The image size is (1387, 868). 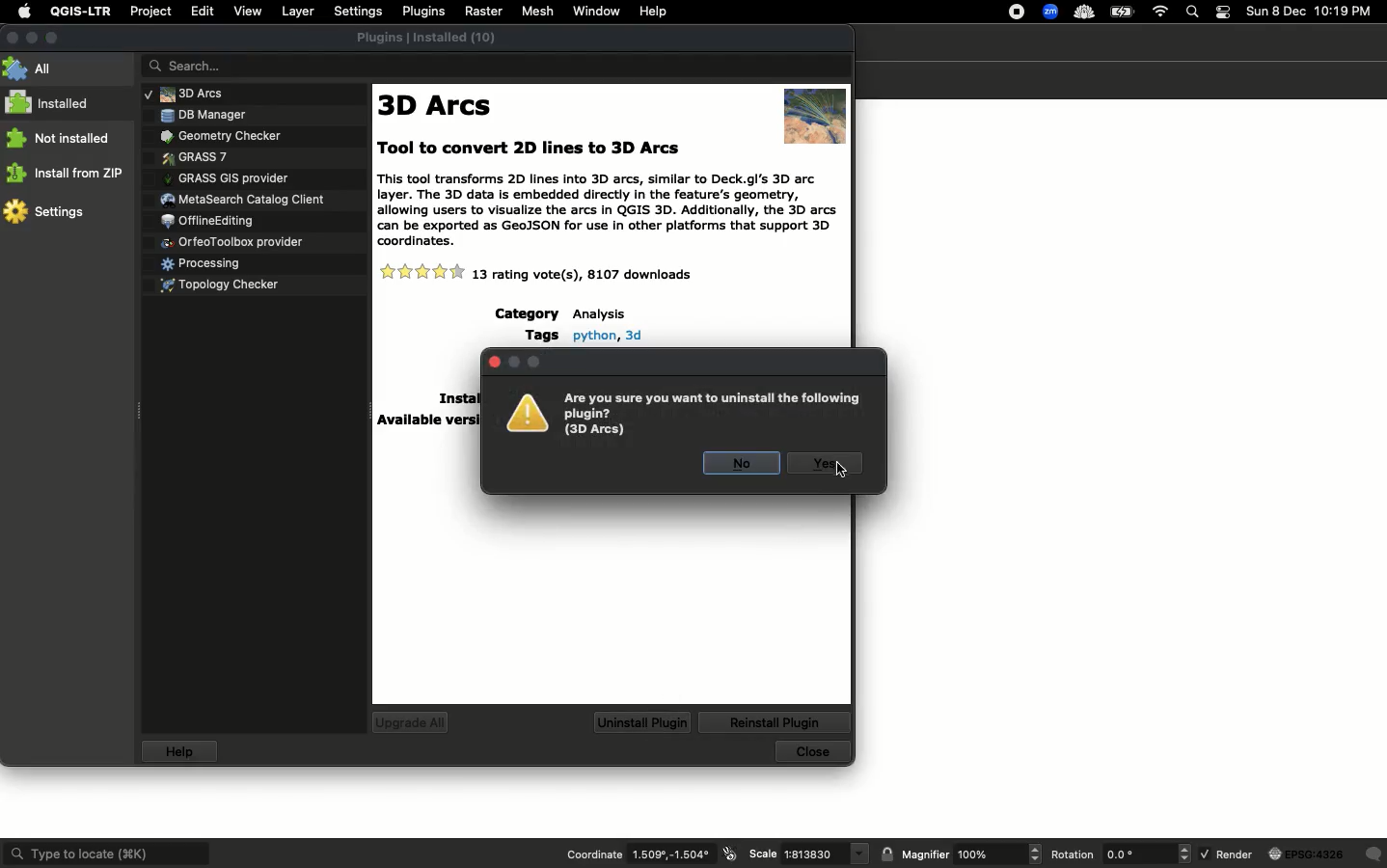 What do you see at coordinates (423, 12) in the screenshot?
I see `Plugins` at bounding box center [423, 12].